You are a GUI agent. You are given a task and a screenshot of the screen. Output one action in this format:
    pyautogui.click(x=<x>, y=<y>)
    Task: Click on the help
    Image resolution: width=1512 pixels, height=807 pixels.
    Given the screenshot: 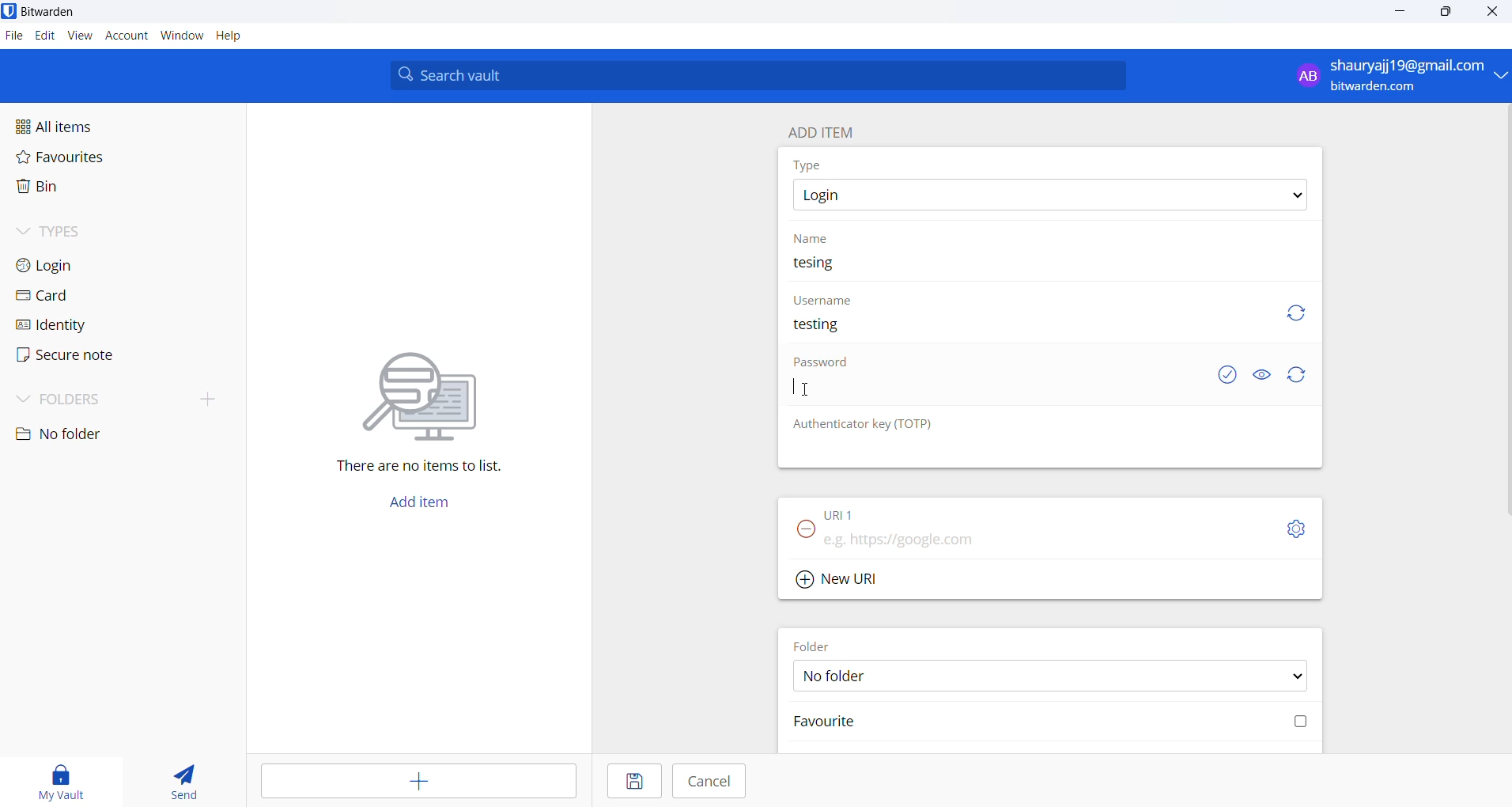 What is the action you would take?
    pyautogui.click(x=239, y=36)
    